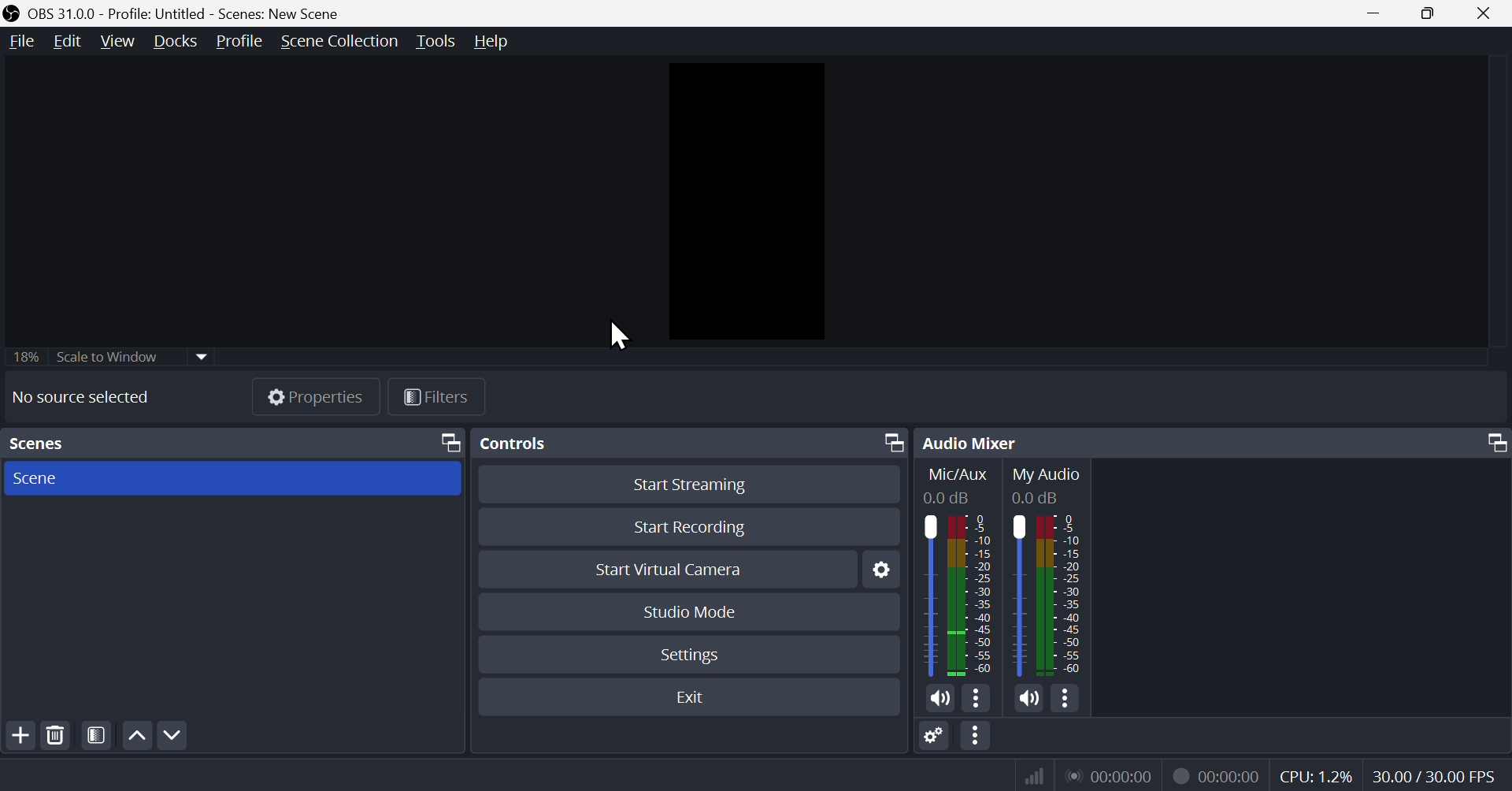 The image size is (1512, 791). I want to click on Exit, so click(687, 696).